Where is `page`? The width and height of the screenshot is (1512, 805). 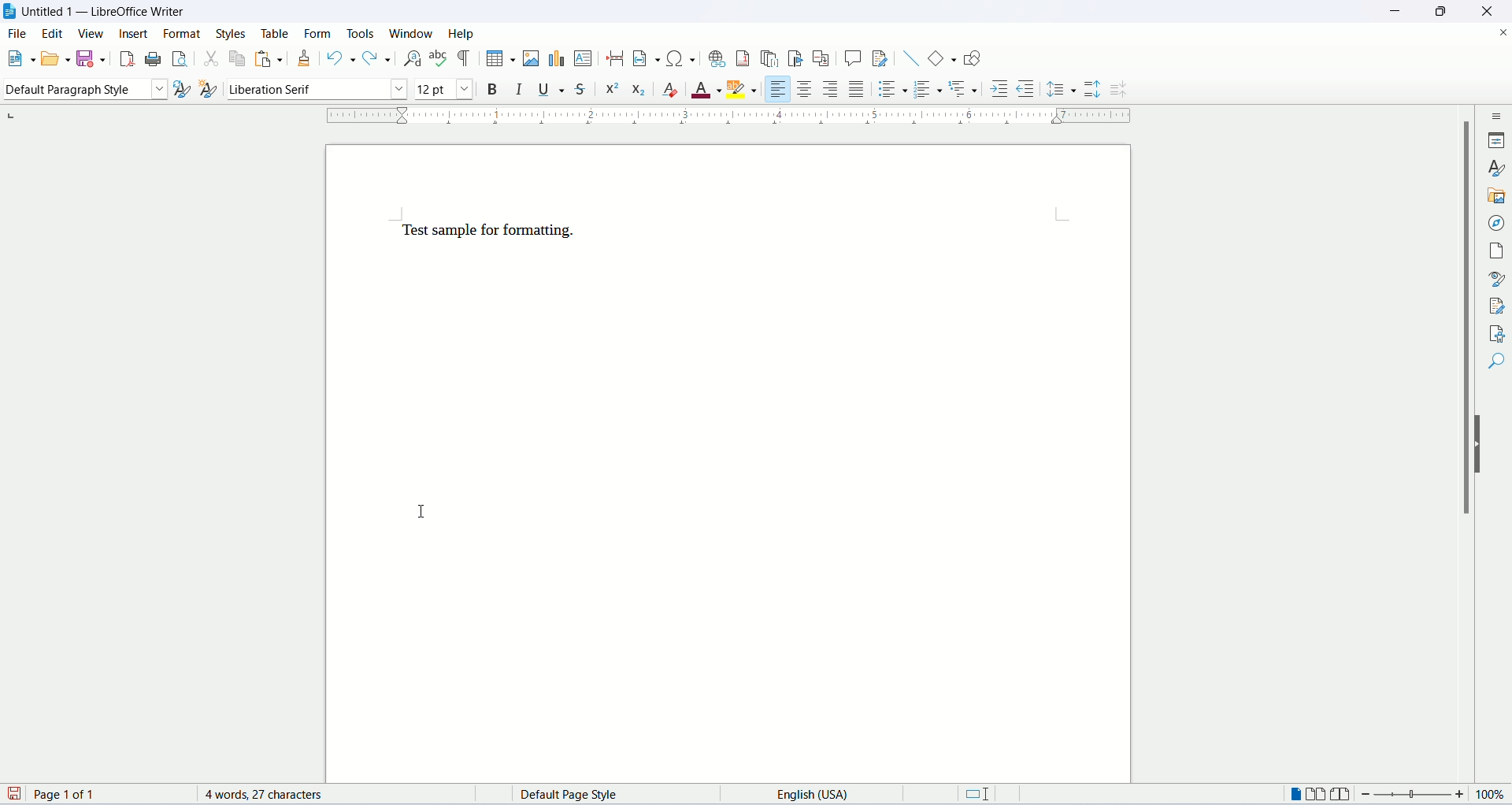 page is located at coordinates (1499, 250).